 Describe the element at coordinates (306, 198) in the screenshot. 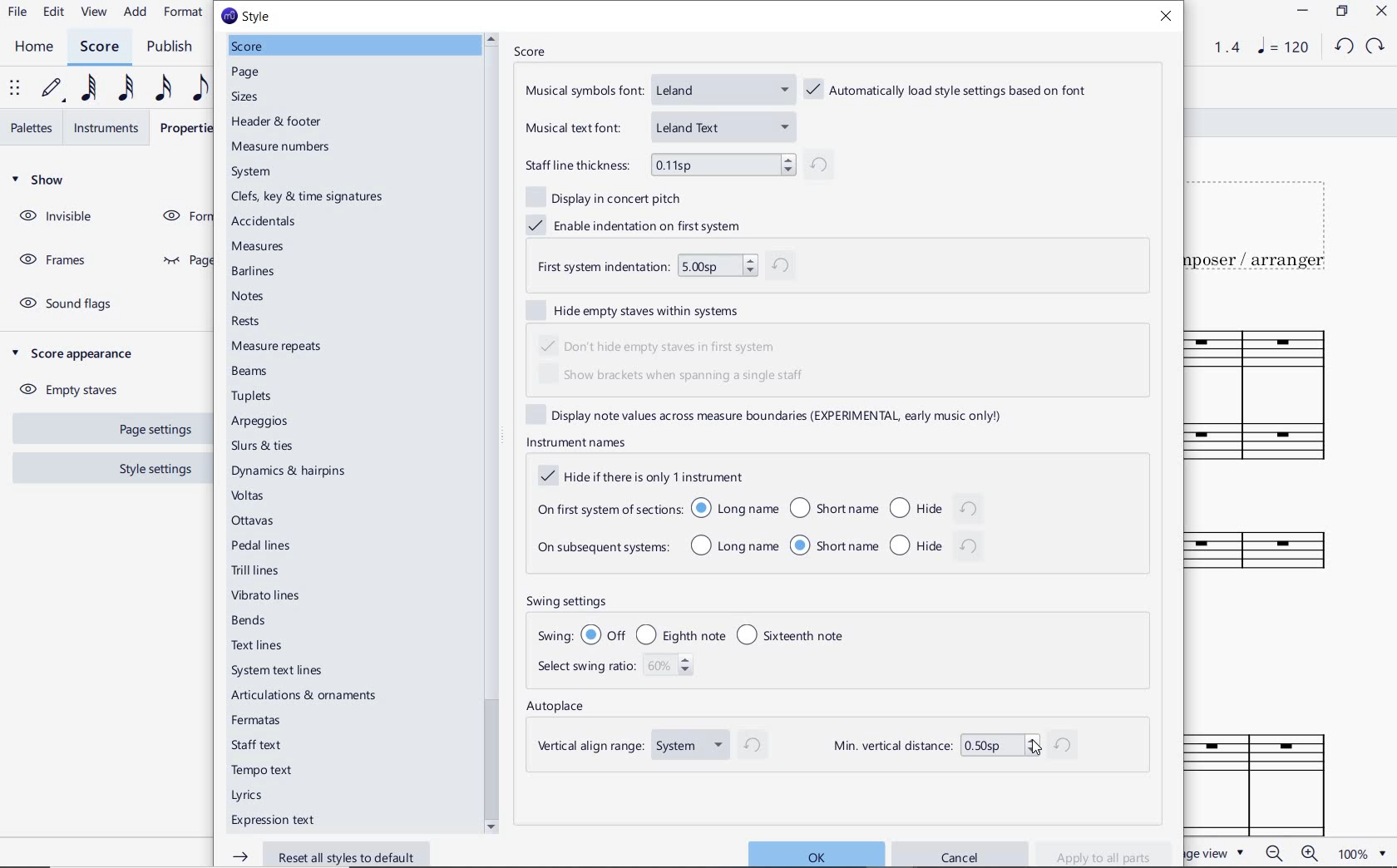

I see `clefs` at that location.